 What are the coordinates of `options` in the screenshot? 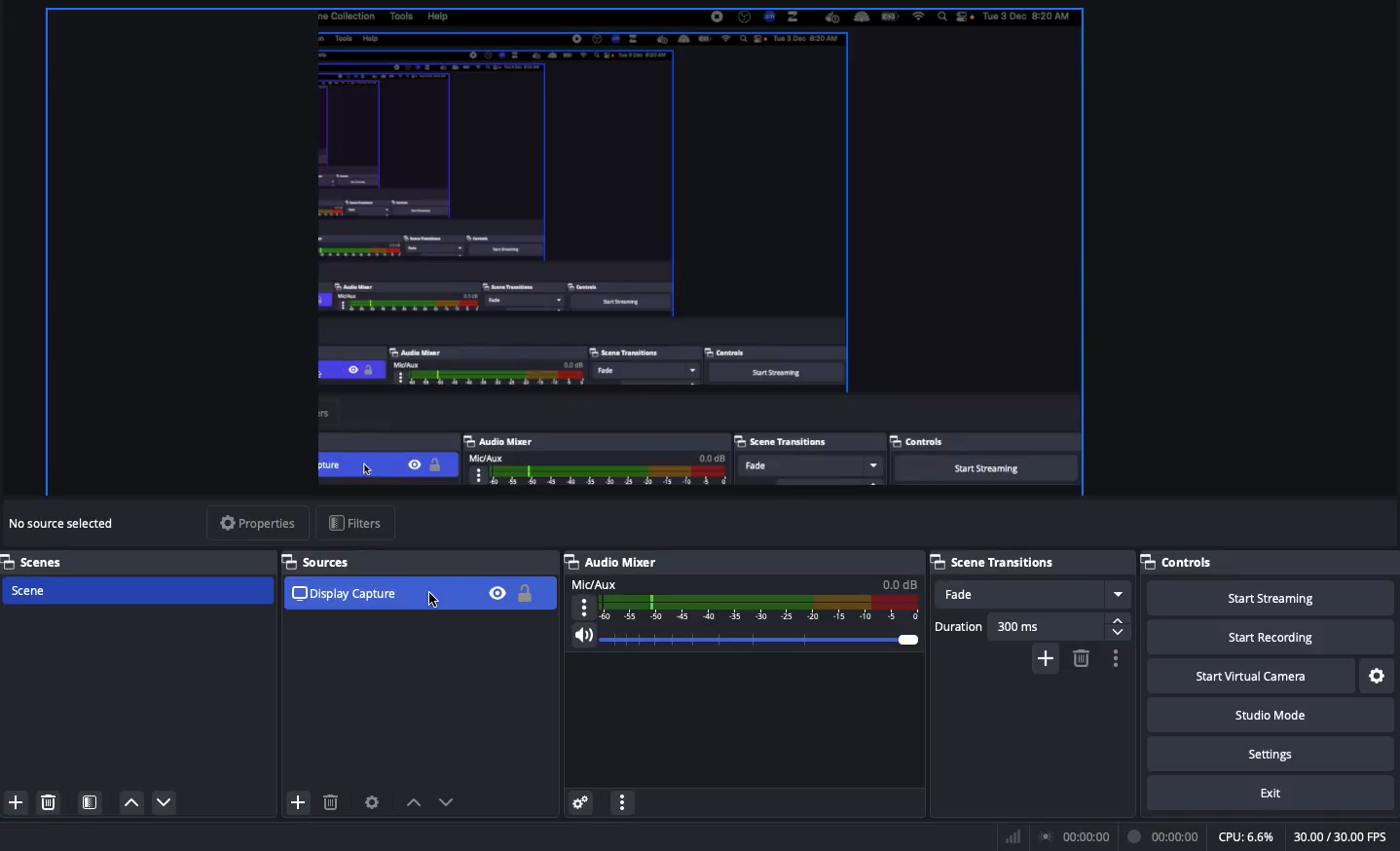 It's located at (624, 802).